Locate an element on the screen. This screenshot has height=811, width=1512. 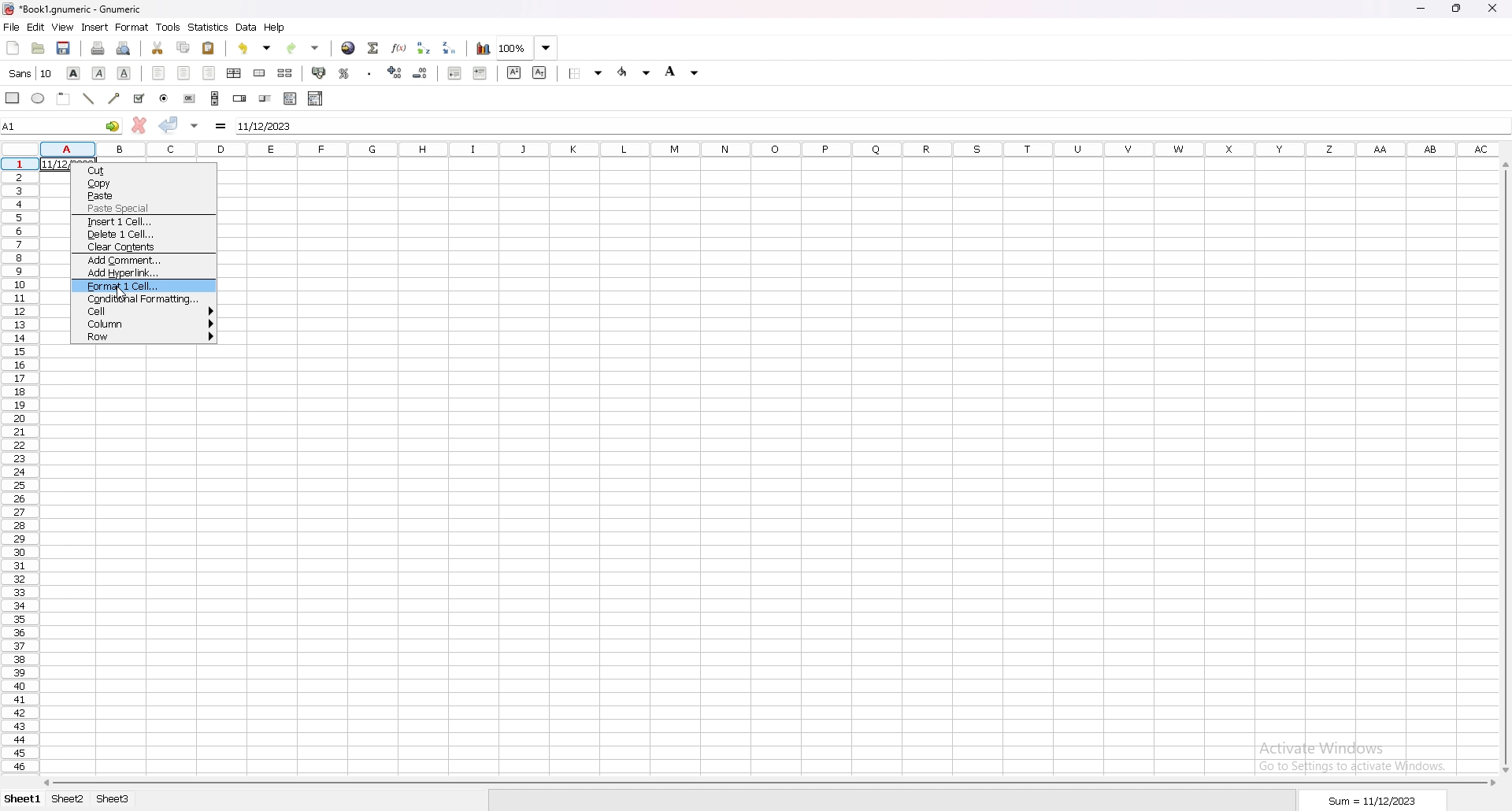
left align is located at coordinates (158, 72).